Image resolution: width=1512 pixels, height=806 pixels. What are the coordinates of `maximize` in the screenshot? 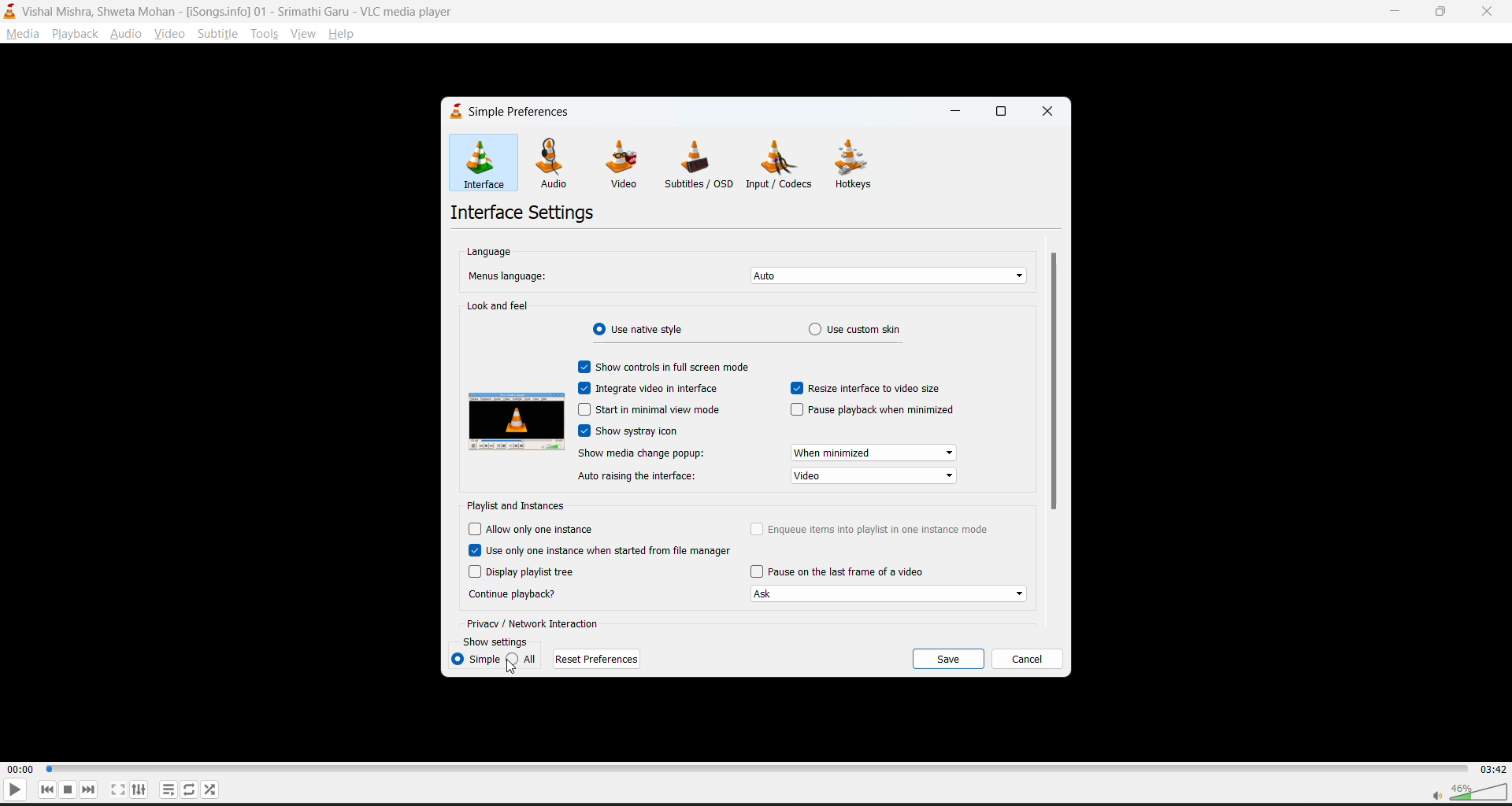 It's located at (999, 111).